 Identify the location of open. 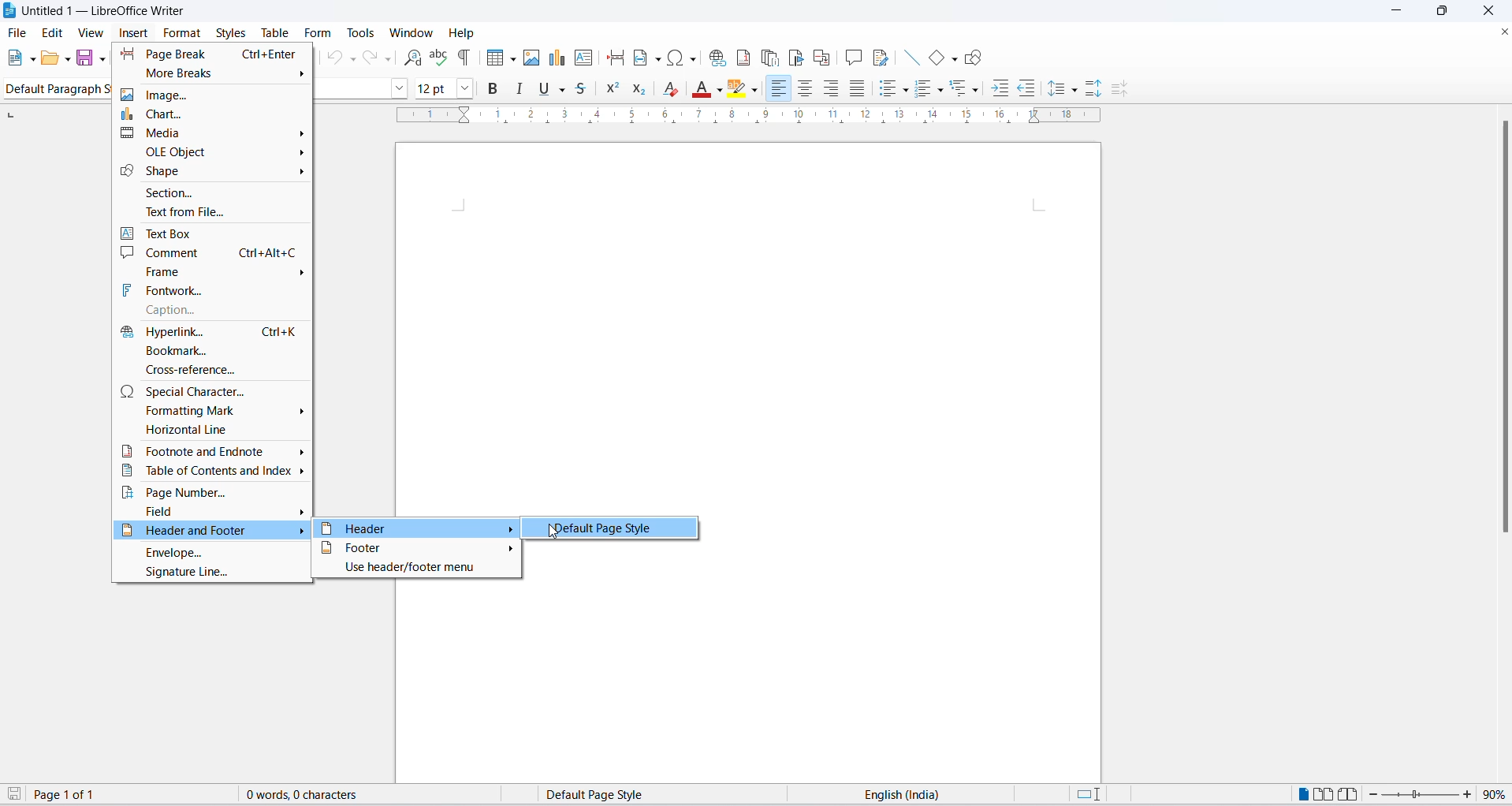
(50, 59).